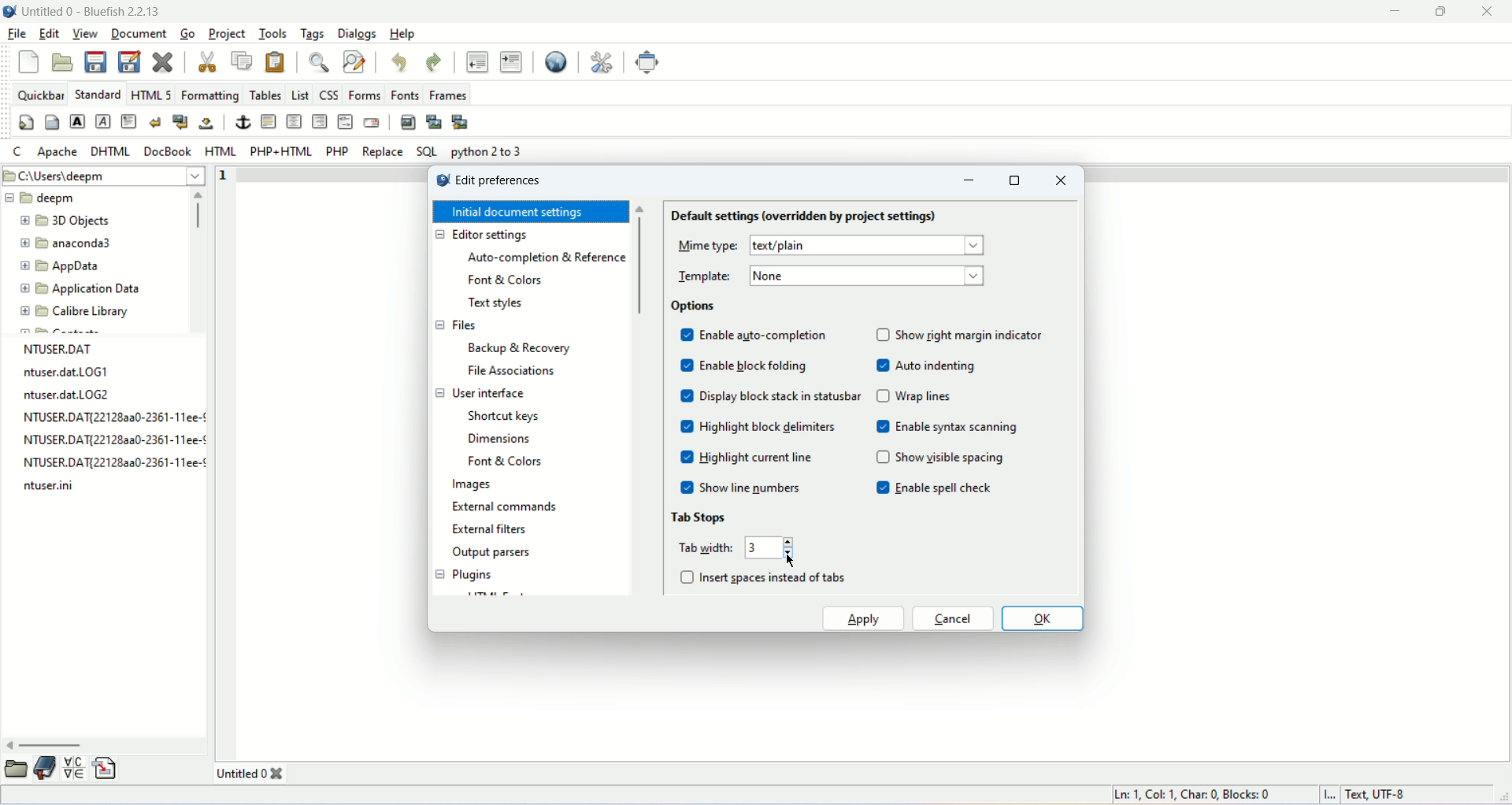  I want to click on tab storage, so click(700, 516).